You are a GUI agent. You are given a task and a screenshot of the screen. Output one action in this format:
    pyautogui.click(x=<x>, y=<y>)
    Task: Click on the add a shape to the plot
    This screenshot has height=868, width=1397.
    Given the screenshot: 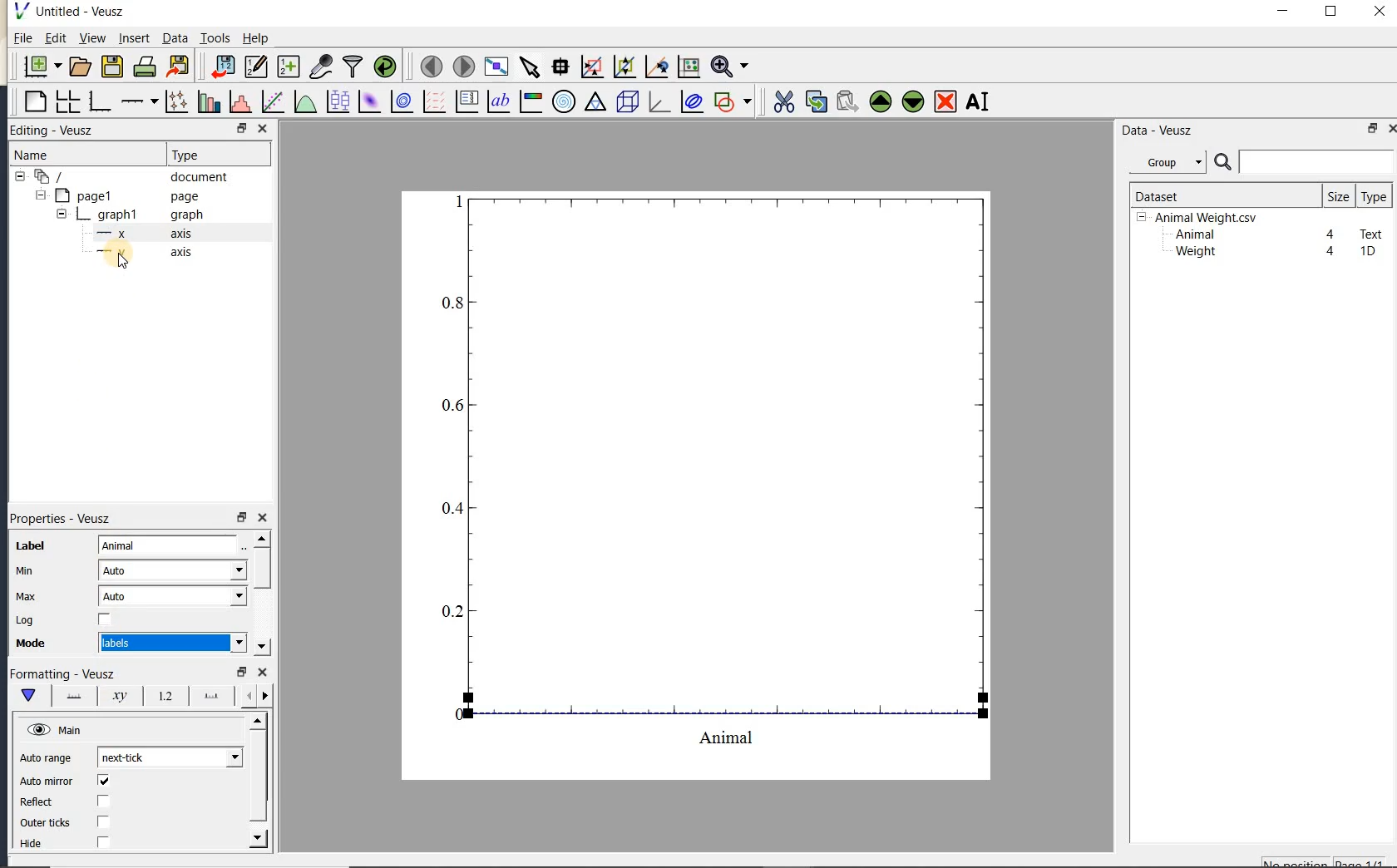 What is the action you would take?
    pyautogui.click(x=732, y=101)
    